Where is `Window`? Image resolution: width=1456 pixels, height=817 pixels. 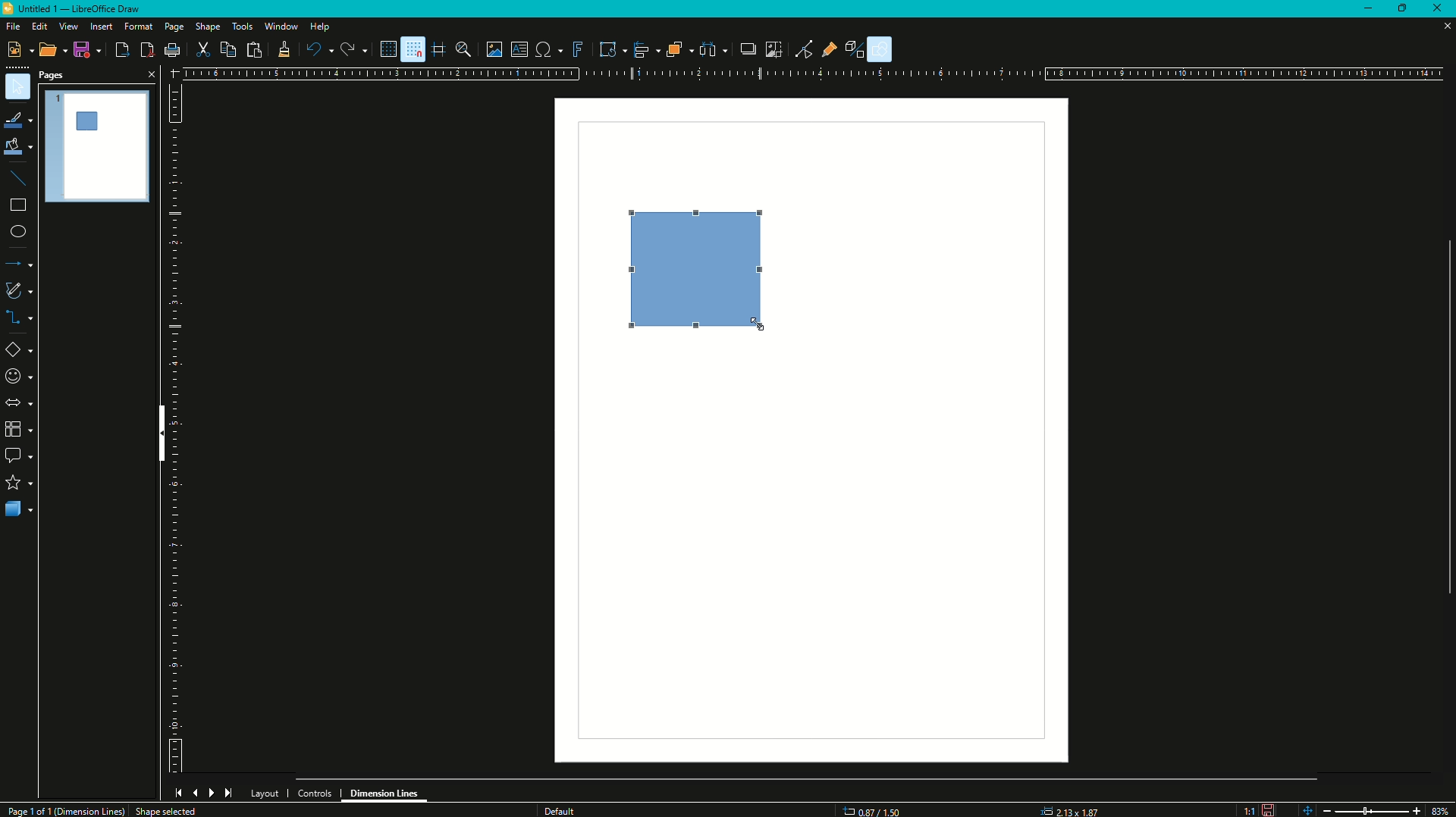
Window is located at coordinates (279, 27).